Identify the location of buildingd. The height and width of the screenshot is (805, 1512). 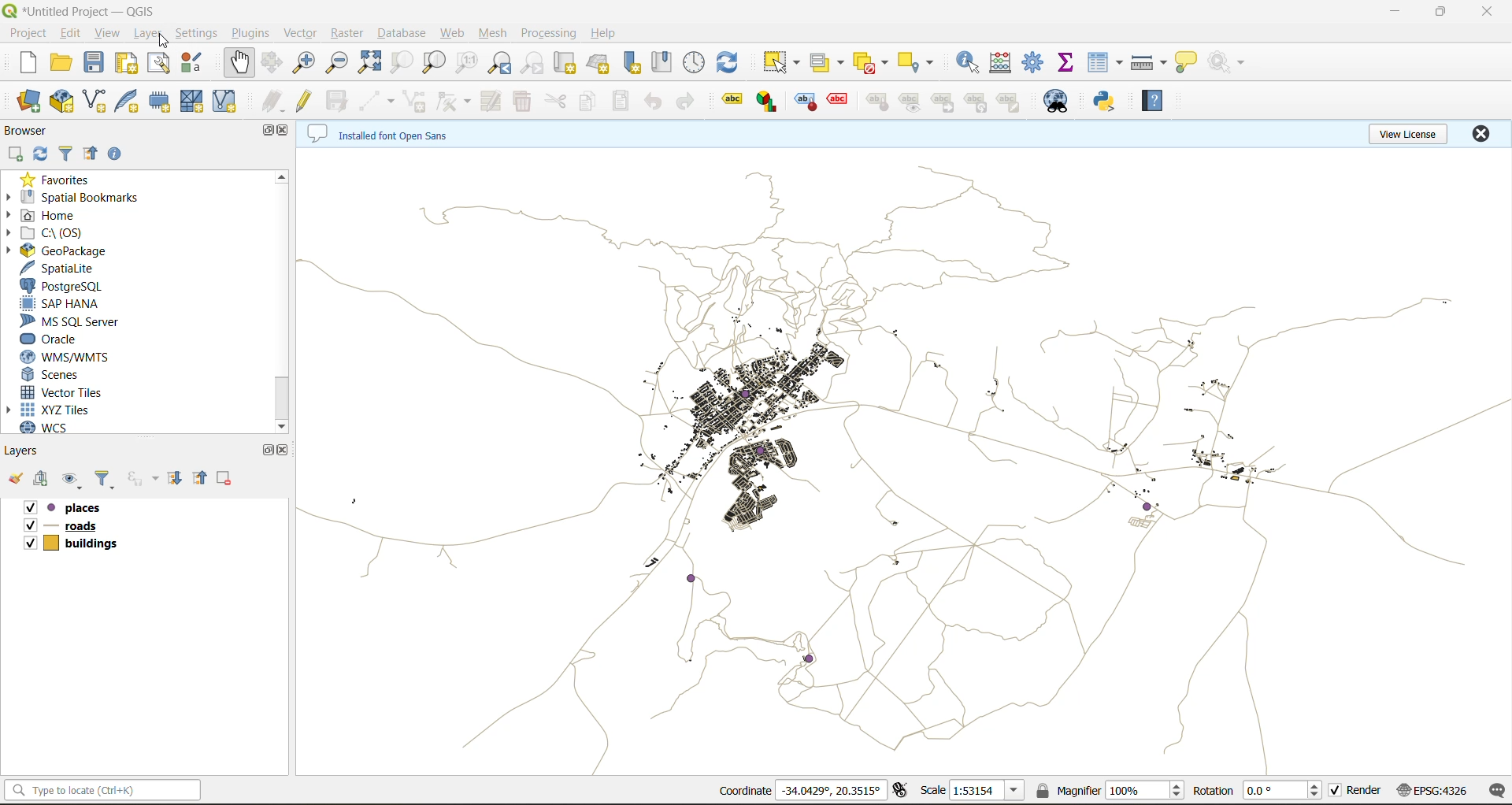
(68, 543).